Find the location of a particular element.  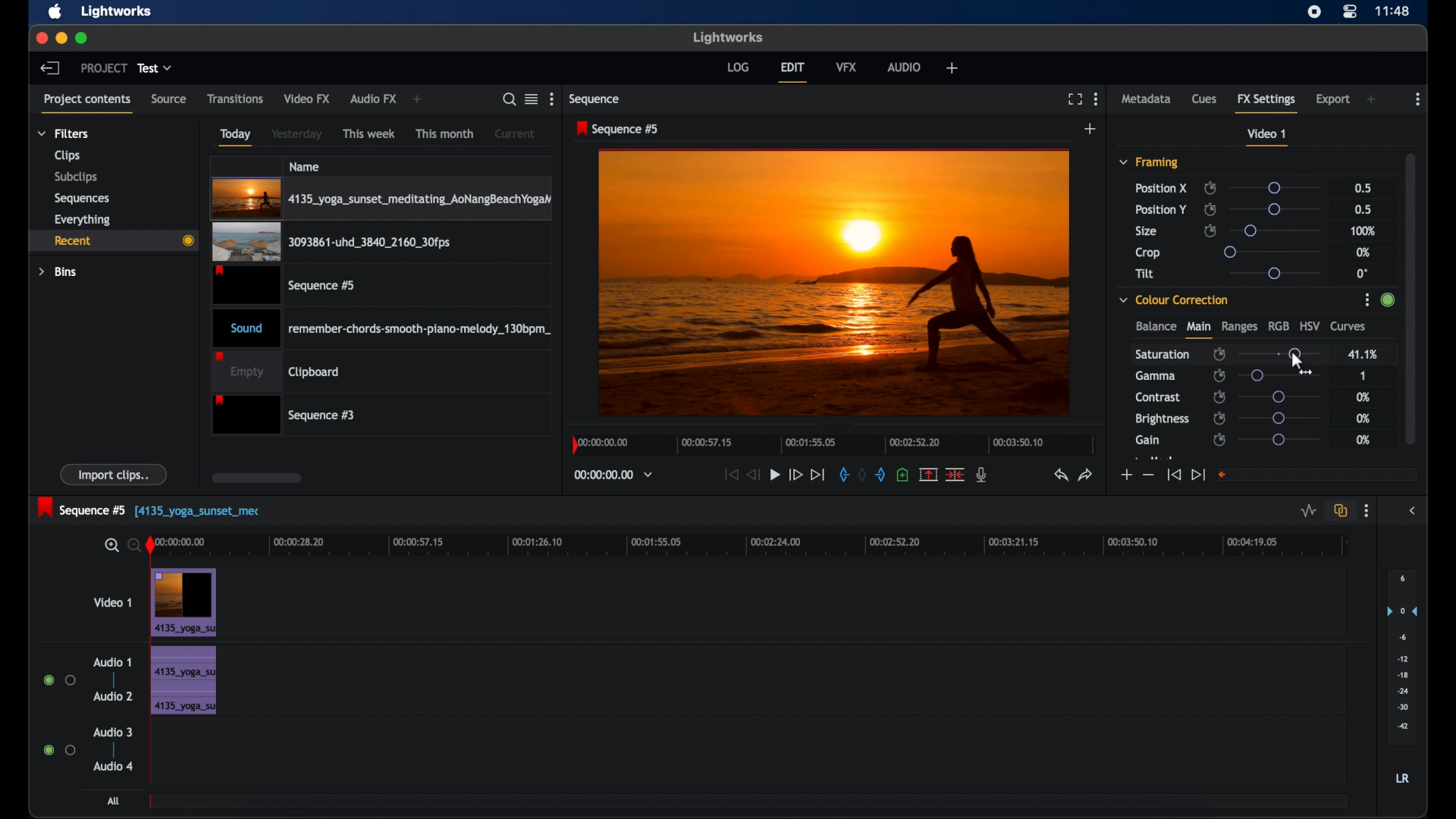

toggle list or tile view is located at coordinates (532, 99).